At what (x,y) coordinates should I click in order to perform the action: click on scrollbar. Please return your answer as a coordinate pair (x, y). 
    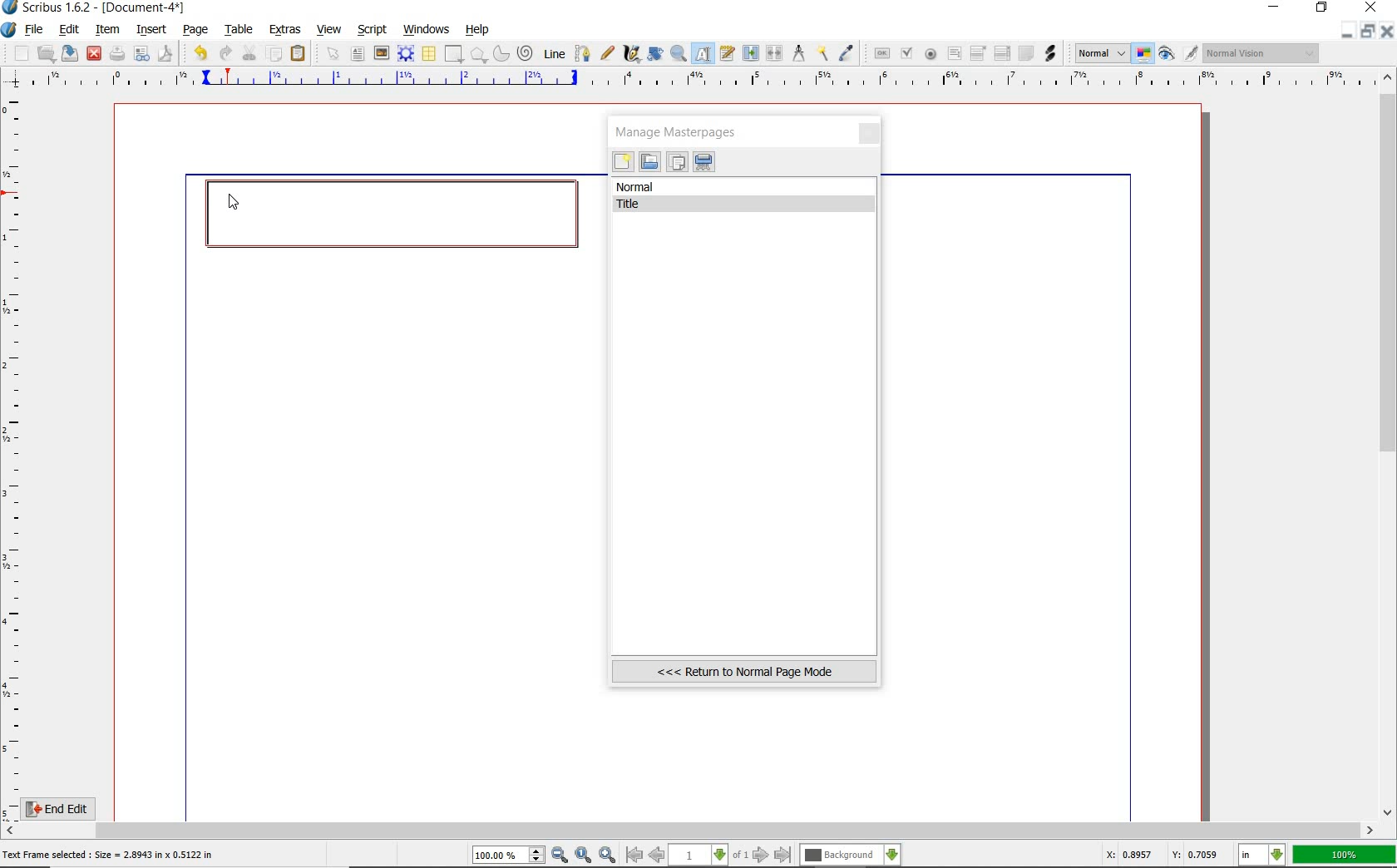
    Looking at the image, I should click on (1389, 443).